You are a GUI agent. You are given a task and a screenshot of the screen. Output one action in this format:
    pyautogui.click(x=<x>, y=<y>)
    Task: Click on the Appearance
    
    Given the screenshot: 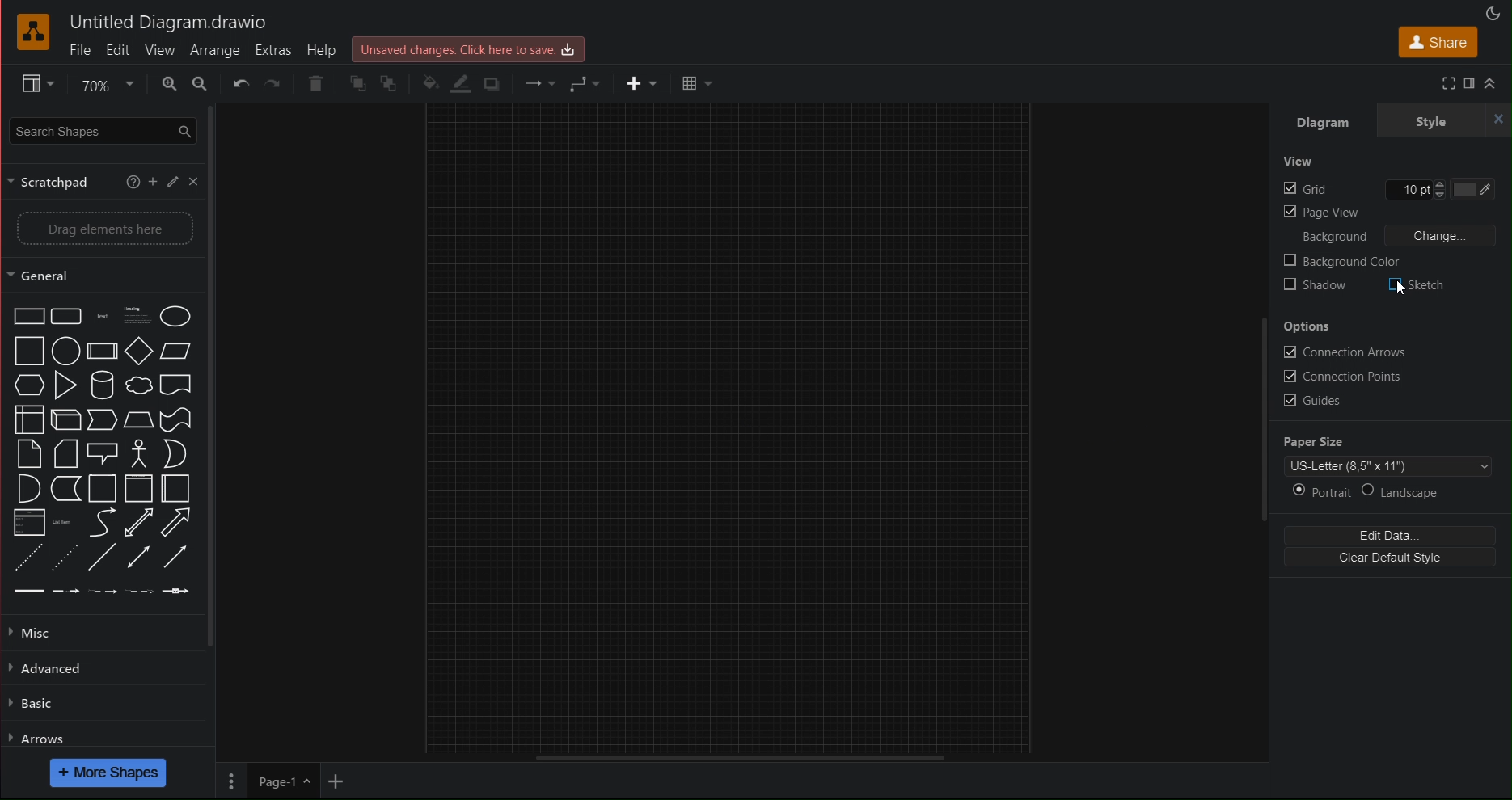 What is the action you would take?
    pyautogui.click(x=1492, y=12)
    